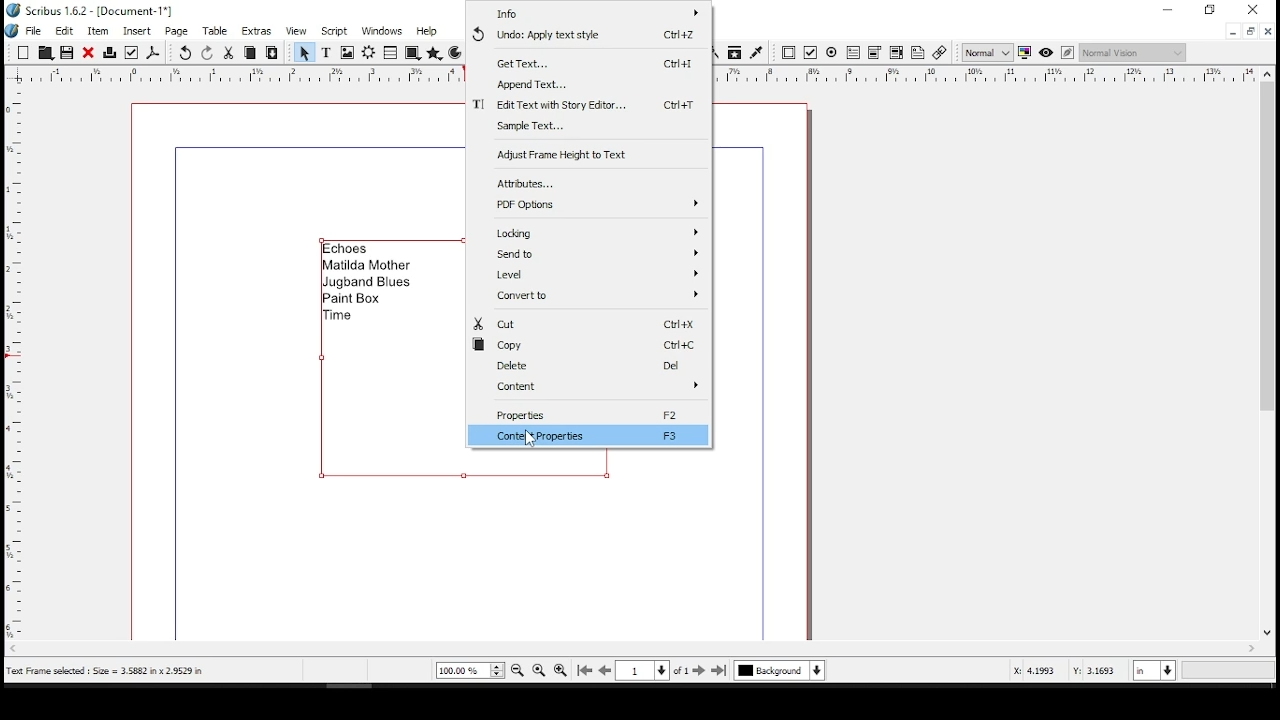 The width and height of the screenshot is (1280, 720). What do you see at coordinates (347, 53) in the screenshot?
I see `image frame` at bounding box center [347, 53].